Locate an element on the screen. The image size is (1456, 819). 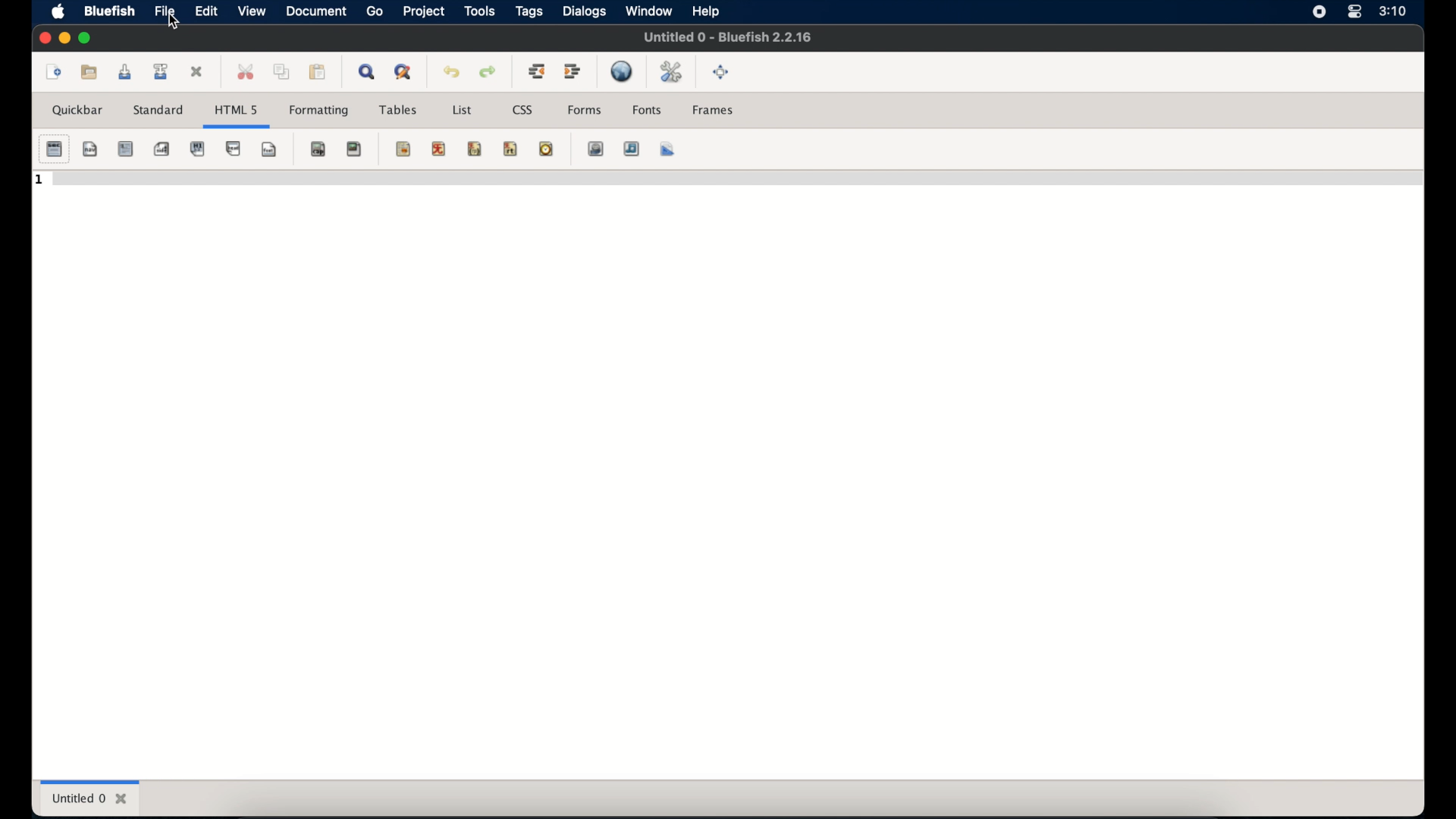
tags is located at coordinates (530, 12).